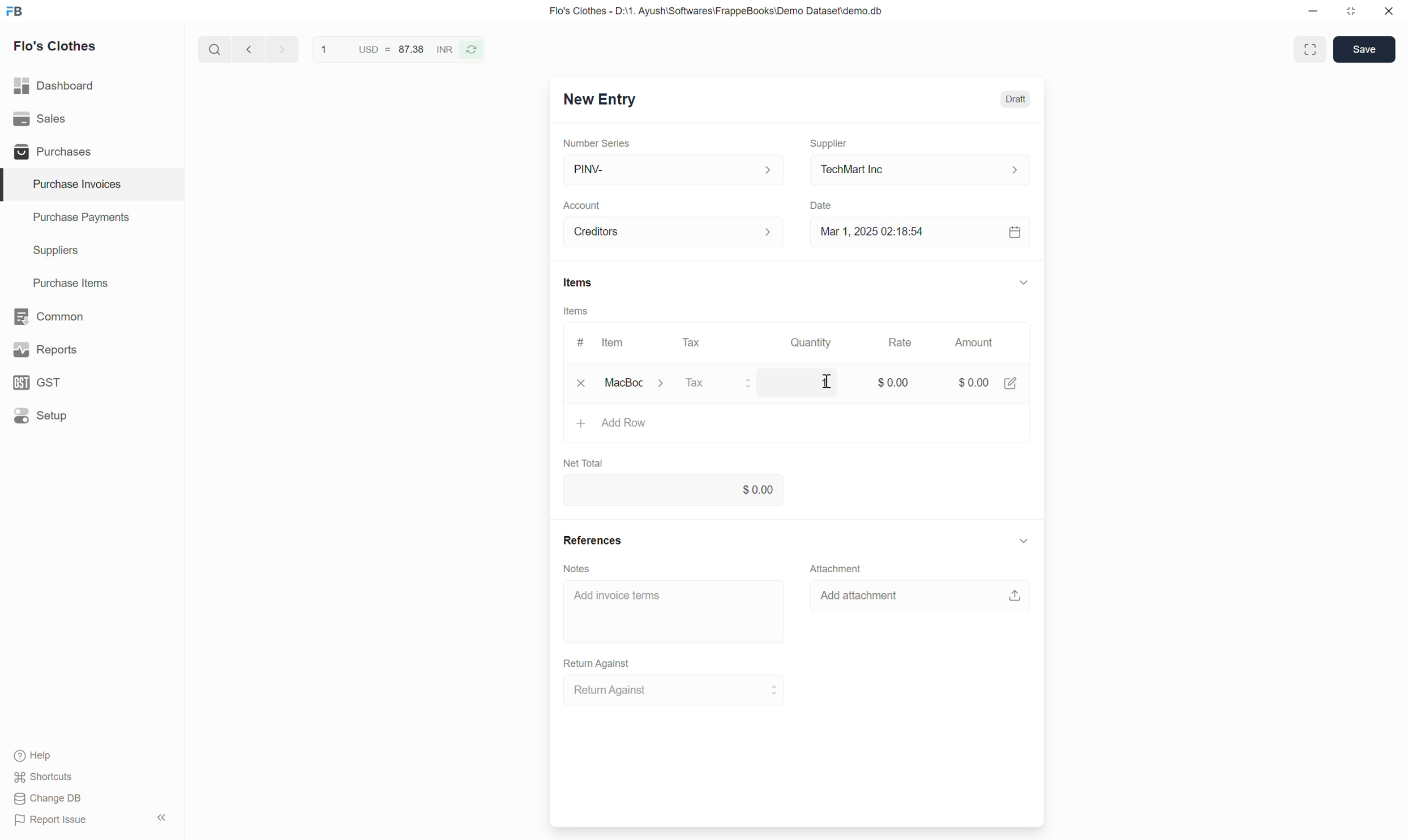 This screenshot has height=840, width=1408. I want to click on PINV-, so click(673, 170).